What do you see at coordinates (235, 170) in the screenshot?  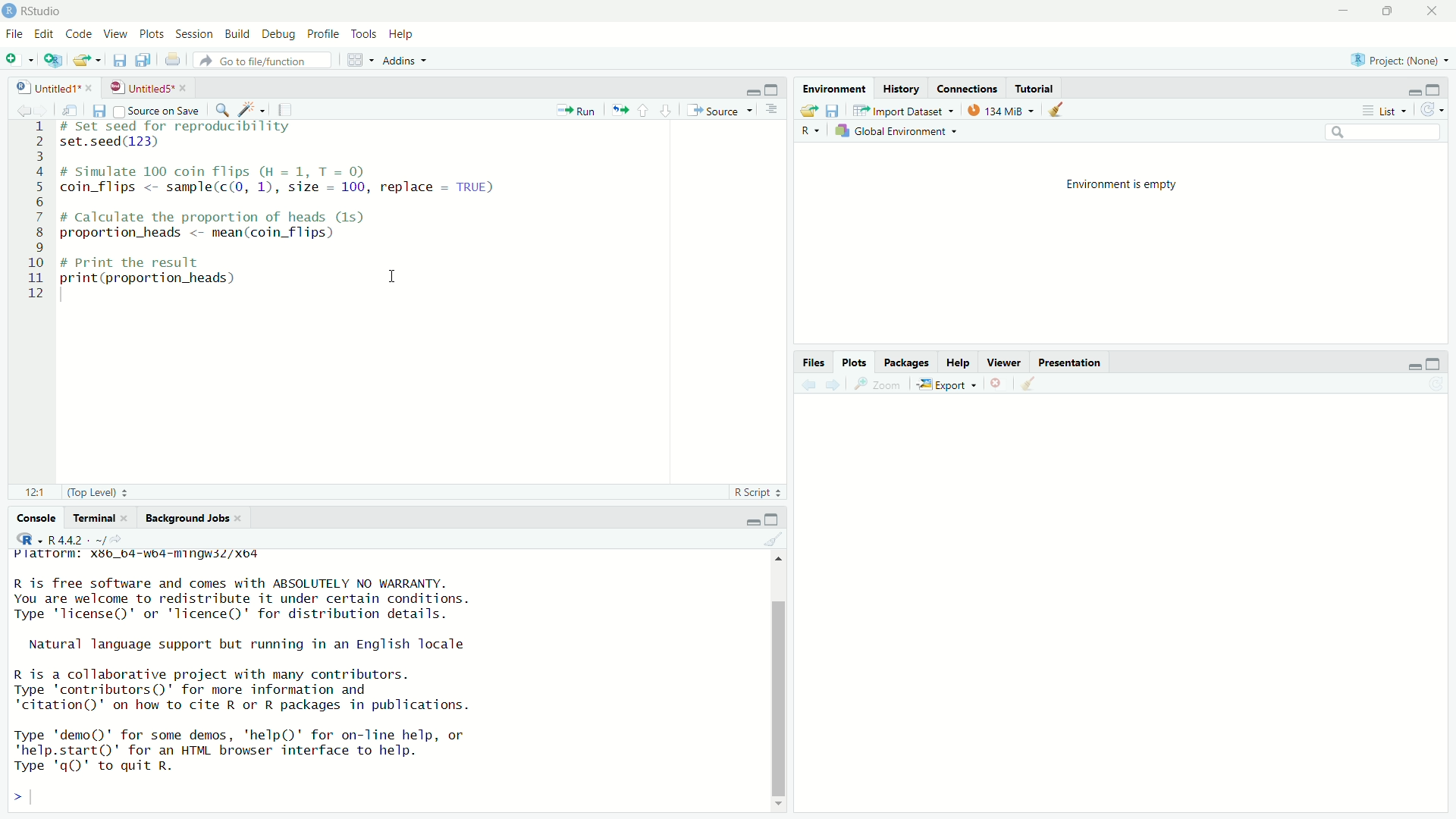 I see `# Simulate 100 coin Ttihips (H=1, T = 0)` at bounding box center [235, 170].